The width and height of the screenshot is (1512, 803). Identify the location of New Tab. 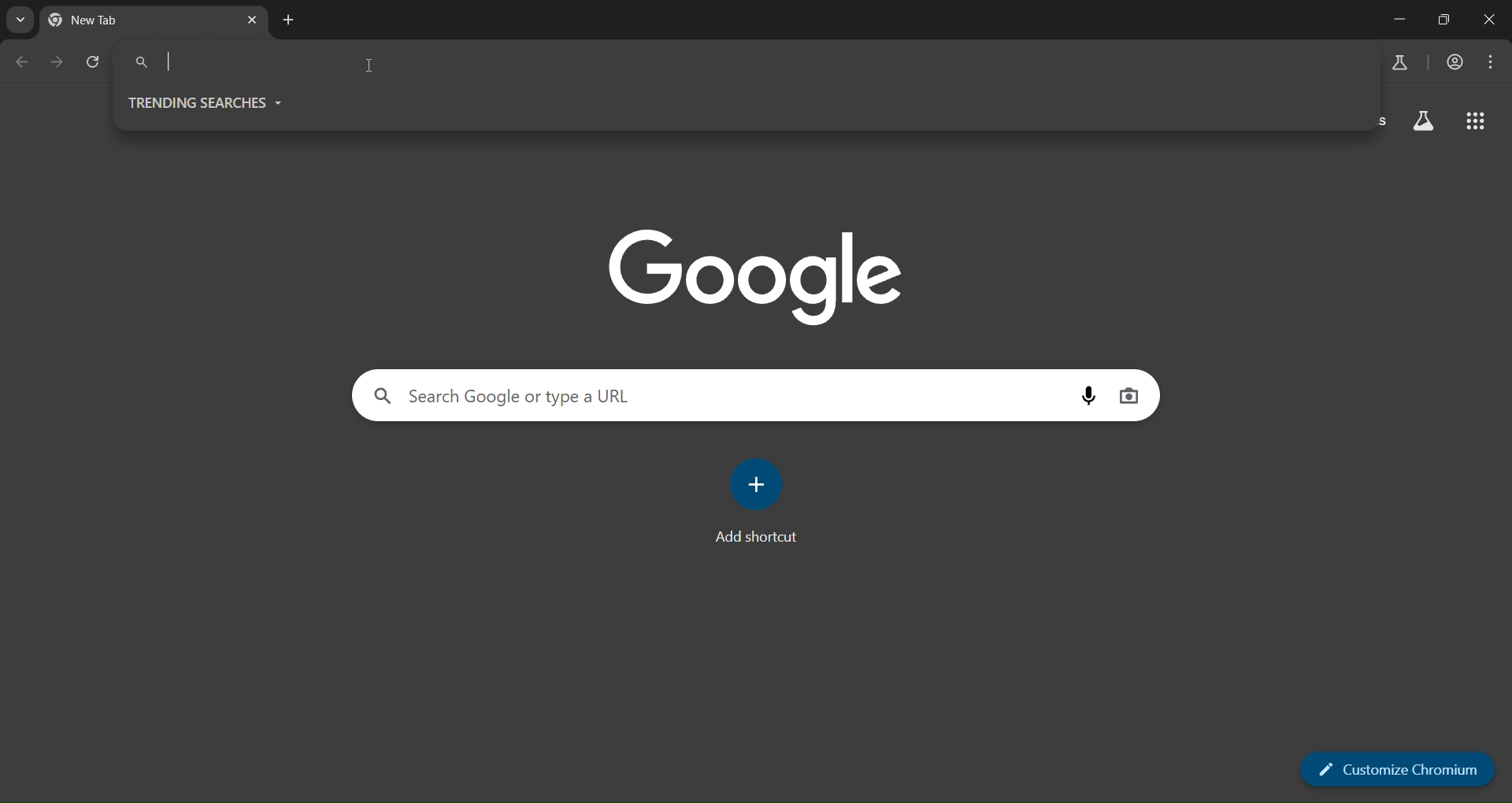
(114, 18).